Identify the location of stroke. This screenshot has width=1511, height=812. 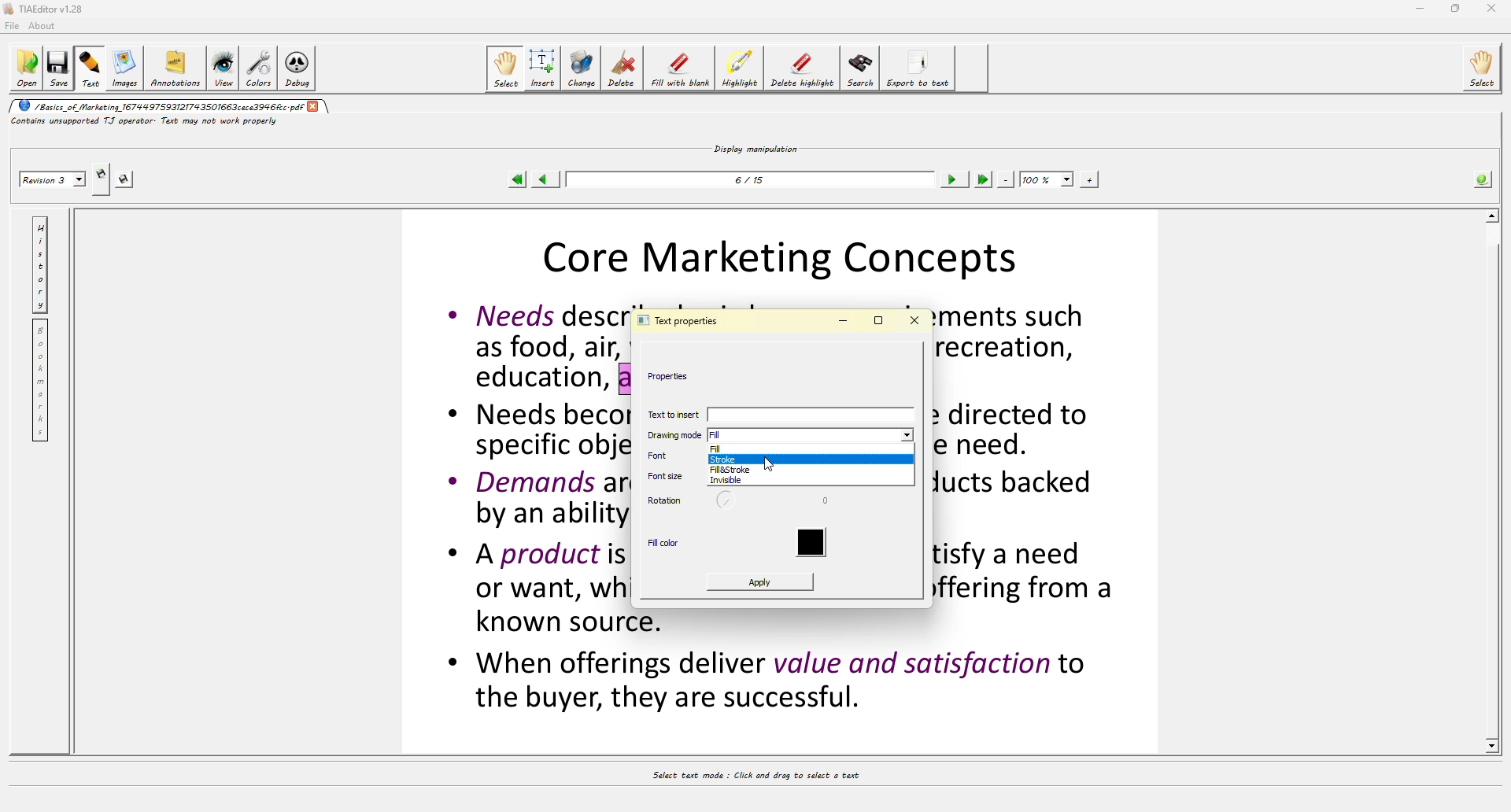
(727, 459).